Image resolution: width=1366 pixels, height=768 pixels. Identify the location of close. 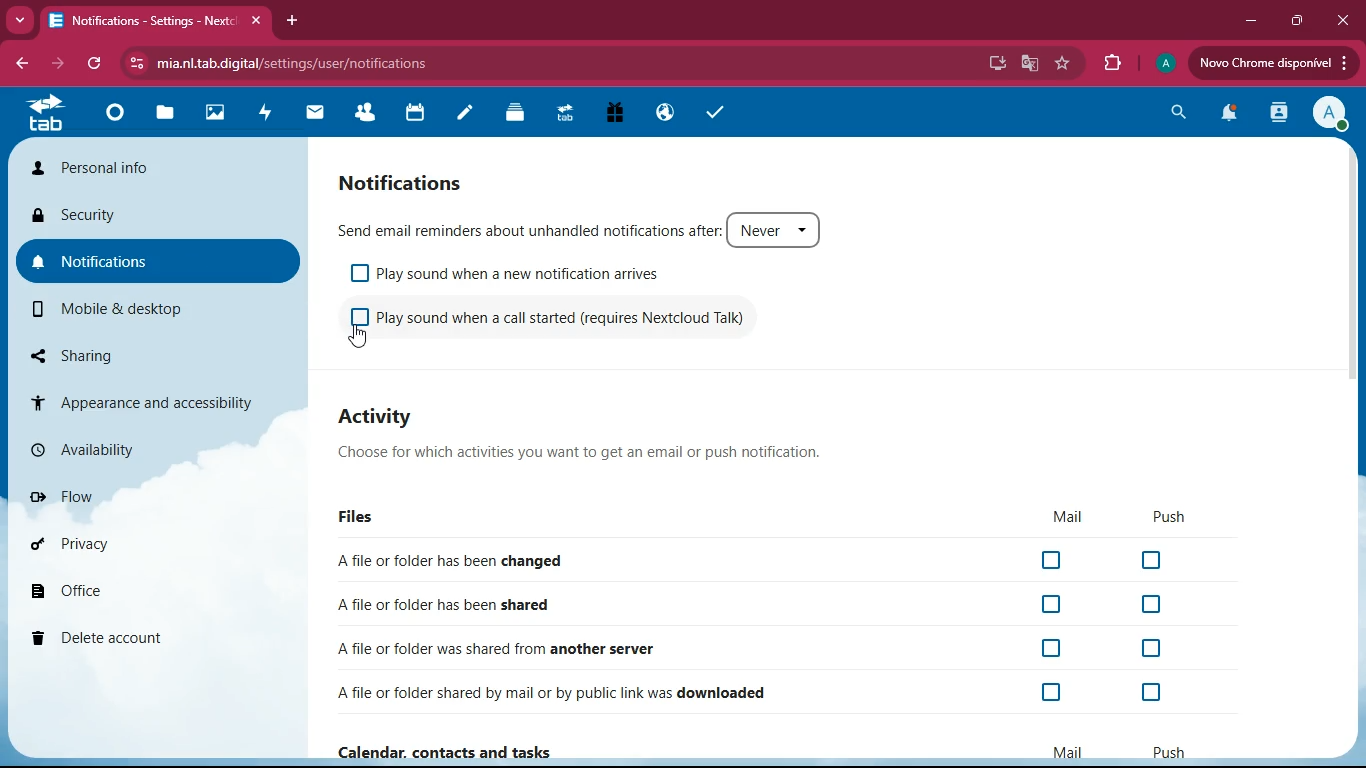
(1342, 20).